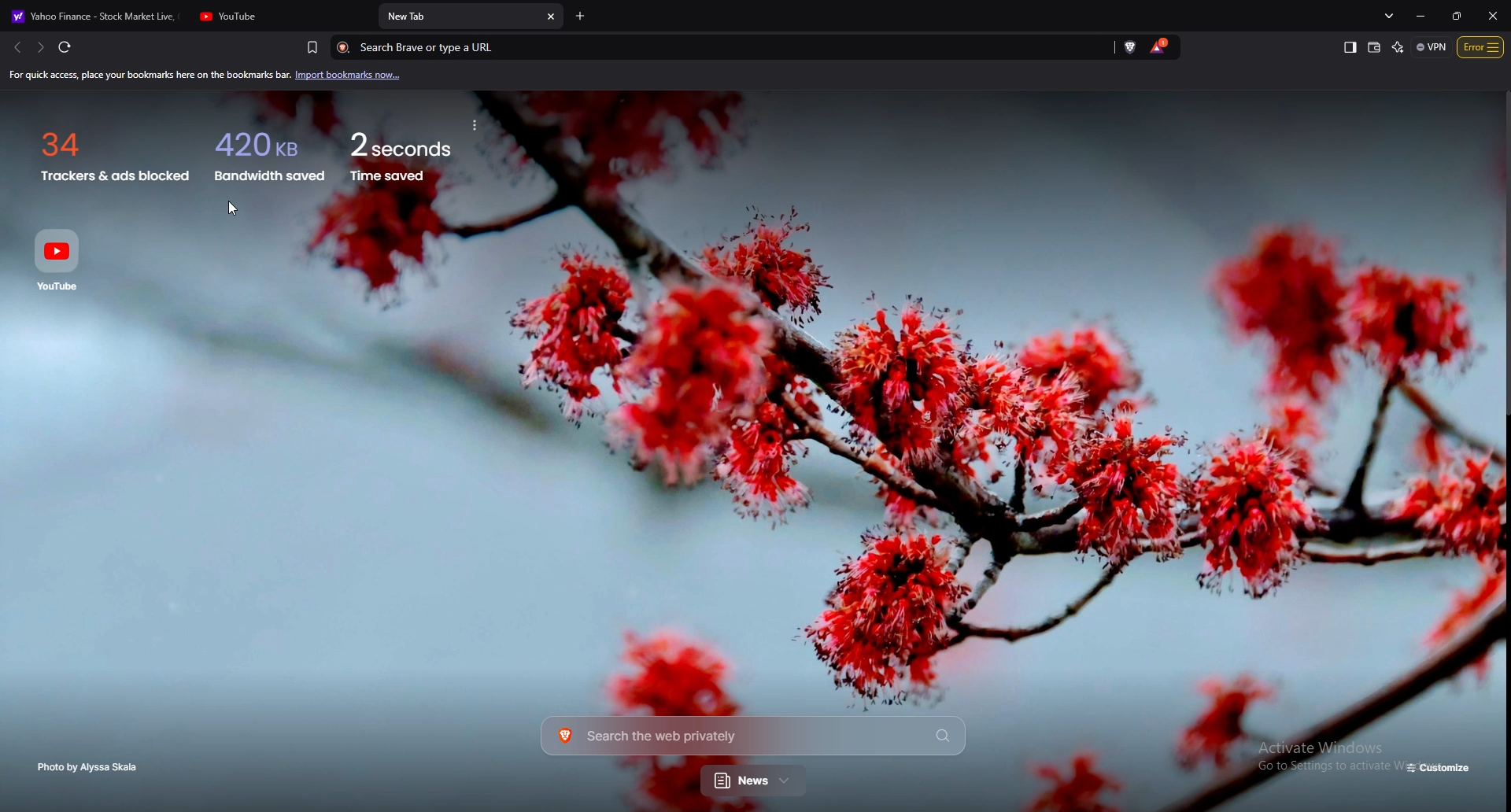 The image size is (1511, 812). Describe the element at coordinates (357, 76) in the screenshot. I see `. Import bookmarks now.` at that location.